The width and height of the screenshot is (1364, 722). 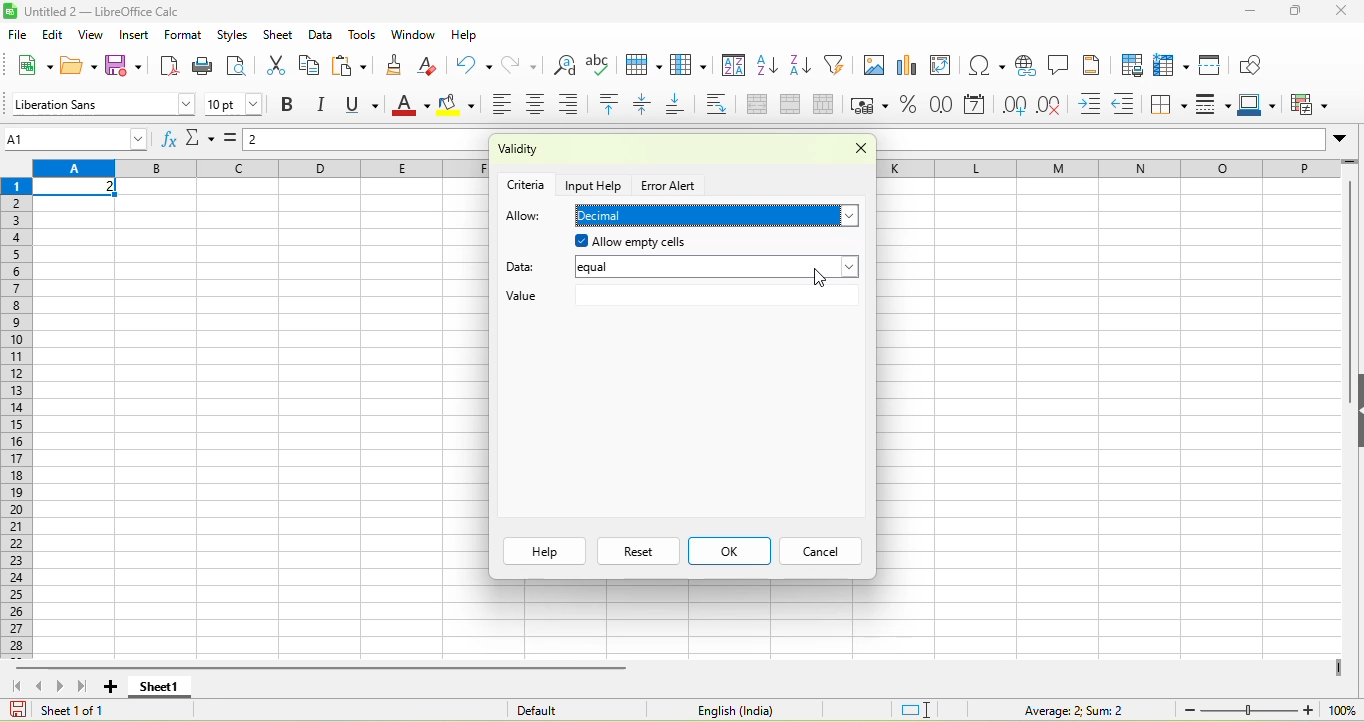 What do you see at coordinates (473, 64) in the screenshot?
I see `undo` at bounding box center [473, 64].